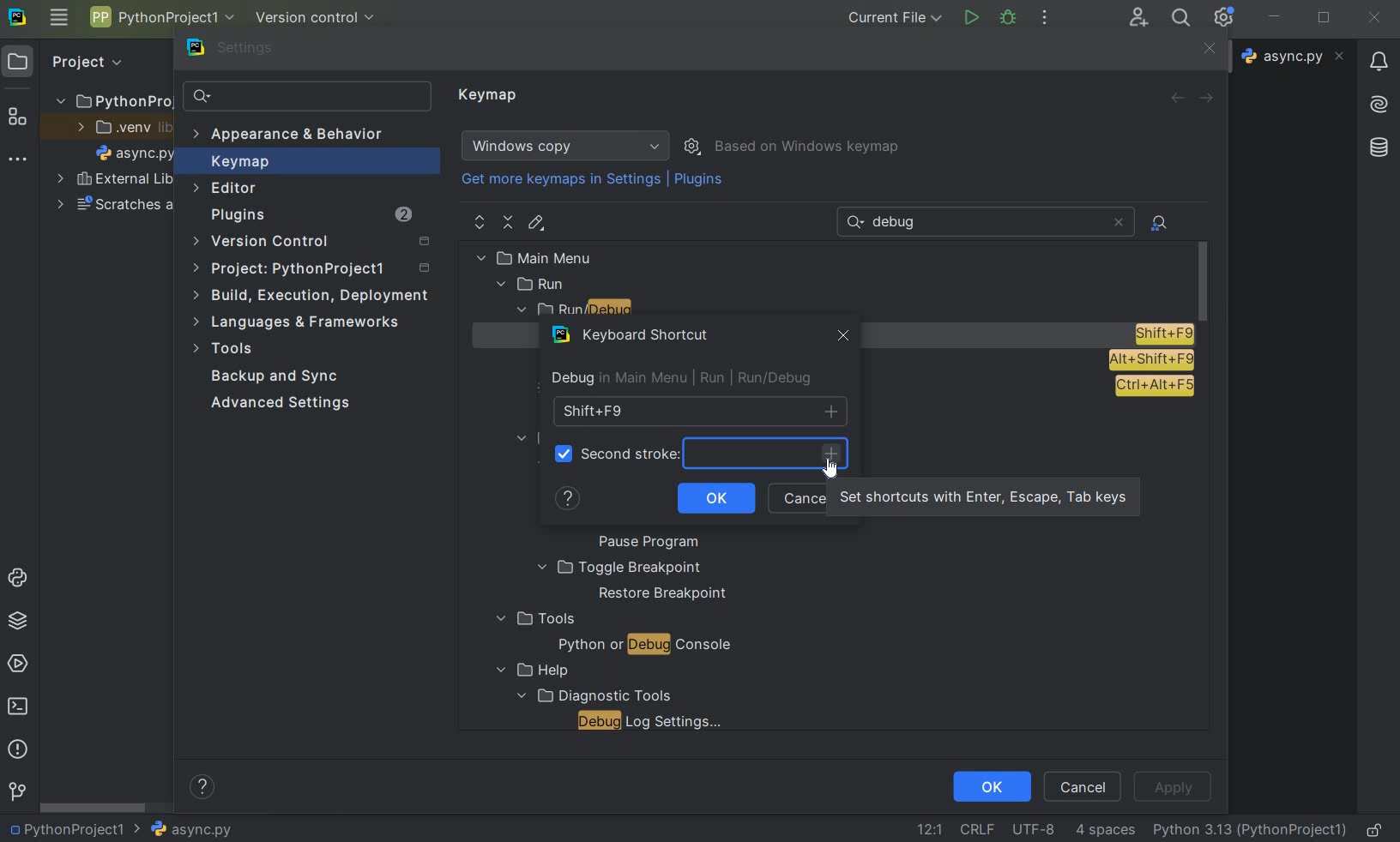  Describe the element at coordinates (116, 207) in the screenshot. I see `scratches and consoles` at that location.